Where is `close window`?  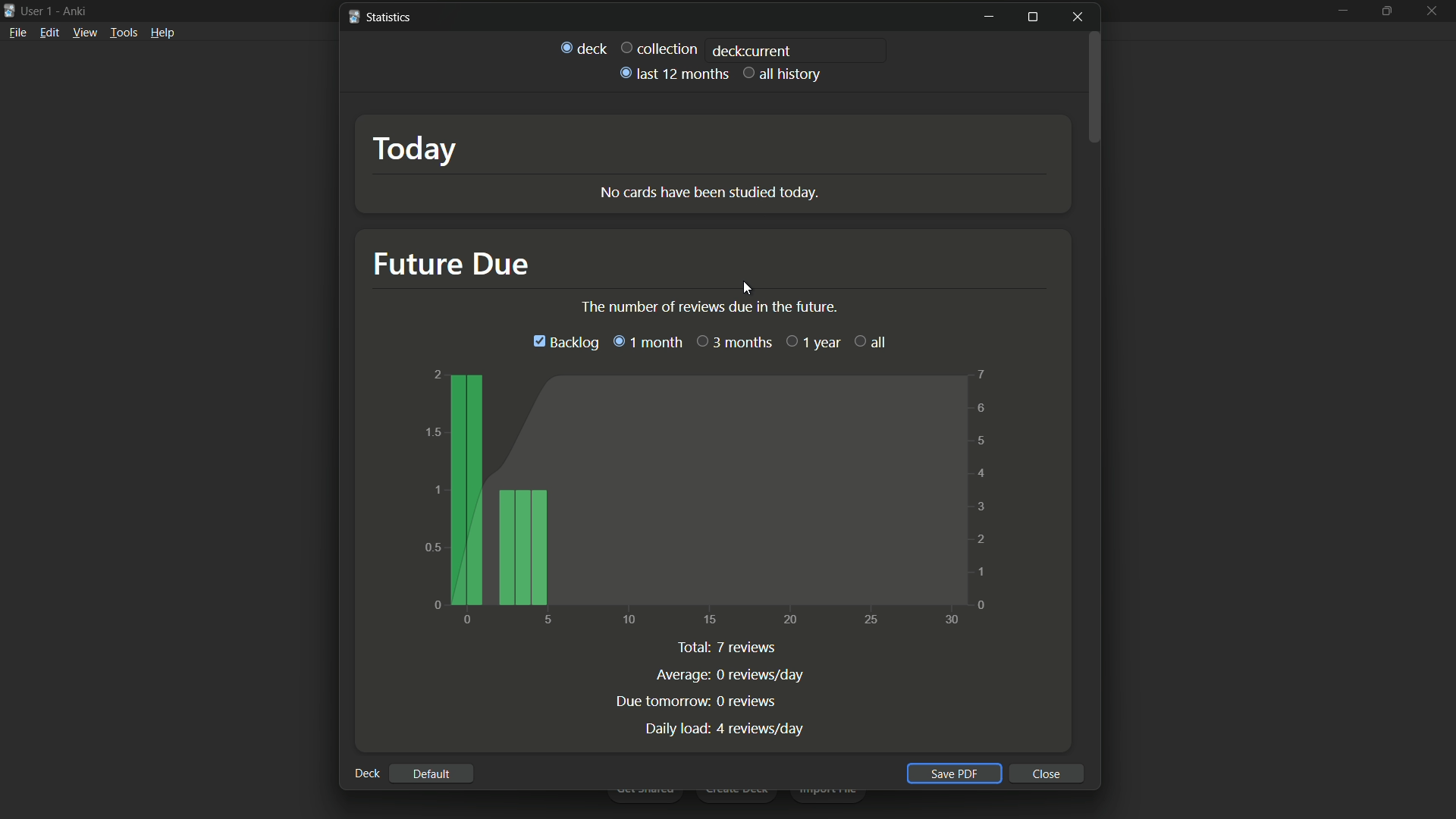
close window is located at coordinates (1078, 16).